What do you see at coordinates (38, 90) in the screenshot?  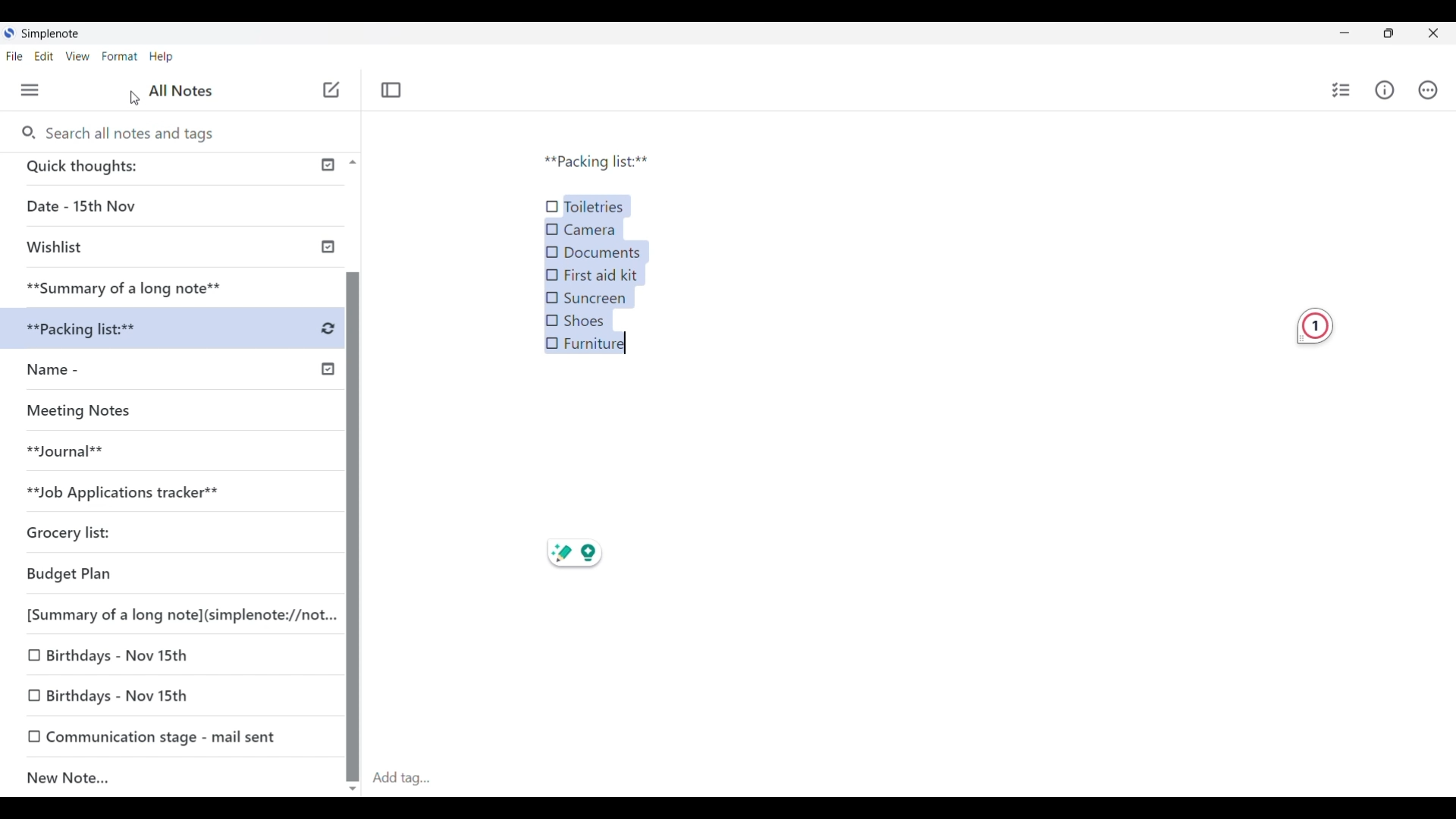 I see `menu` at bounding box center [38, 90].